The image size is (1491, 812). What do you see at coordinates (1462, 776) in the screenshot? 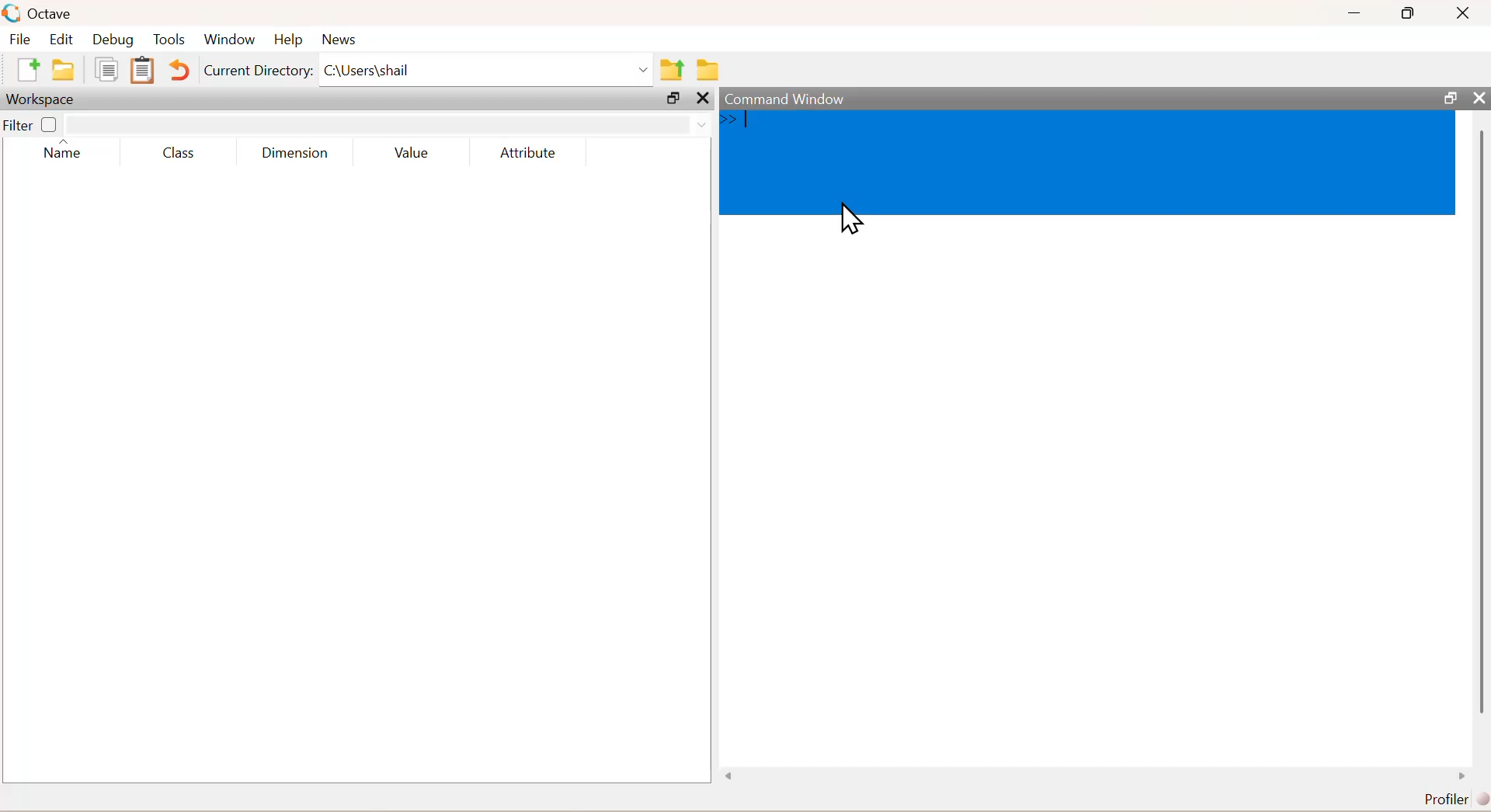
I see `scroll right` at bounding box center [1462, 776].